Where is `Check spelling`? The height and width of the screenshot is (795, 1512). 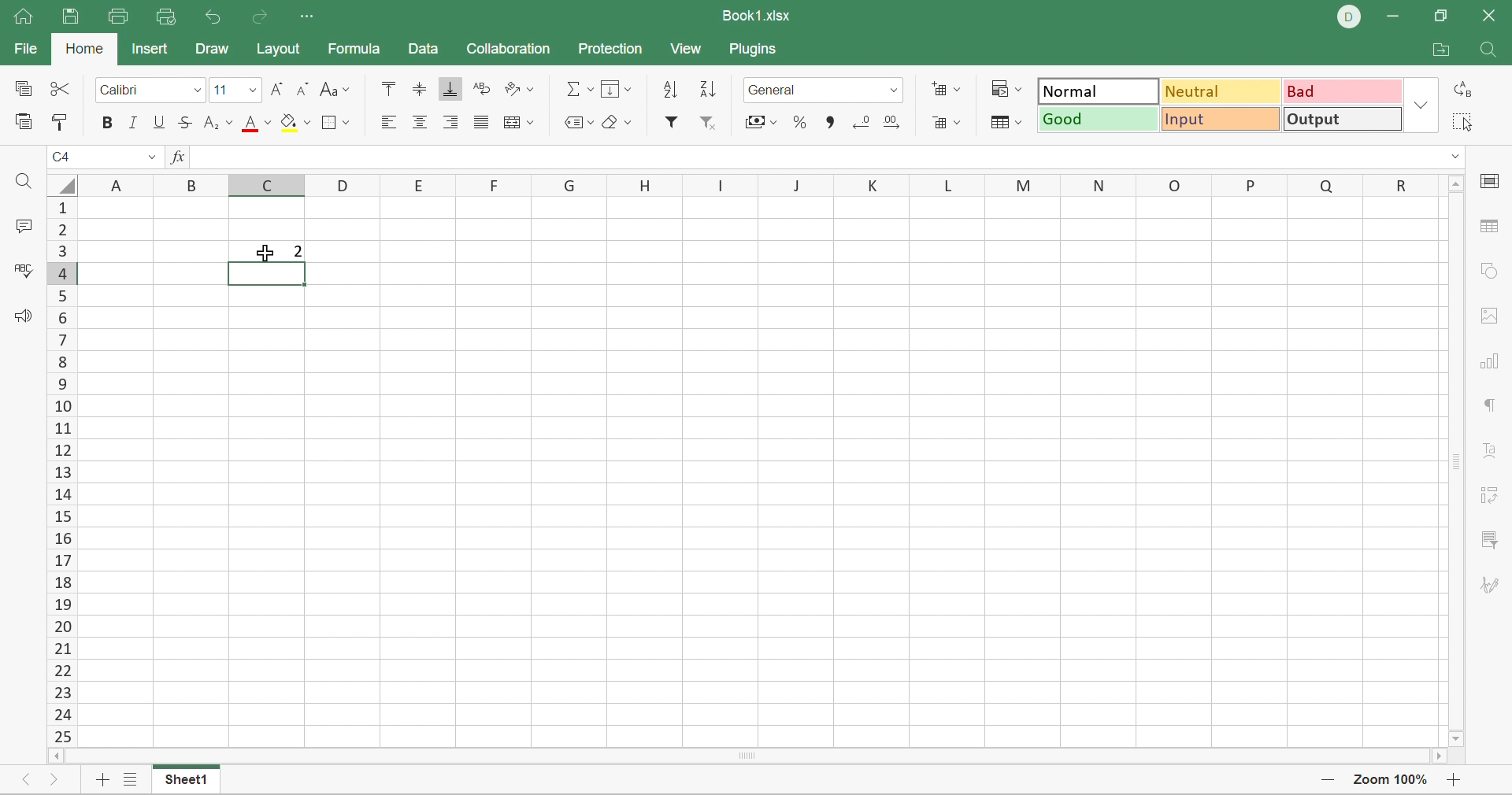 Check spelling is located at coordinates (20, 272).